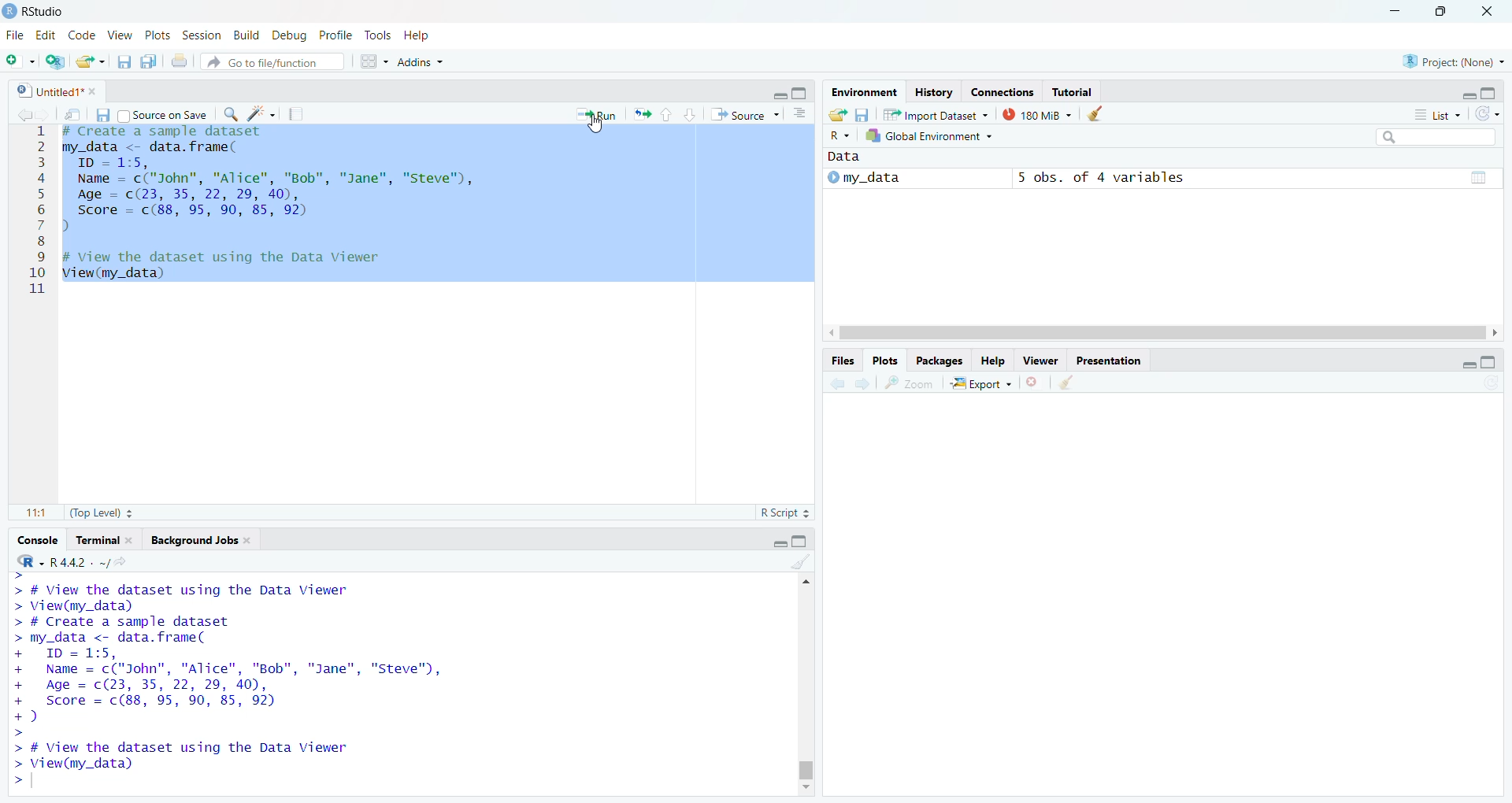  What do you see at coordinates (34, 11) in the screenshot?
I see `Rstudio` at bounding box center [34, 11].